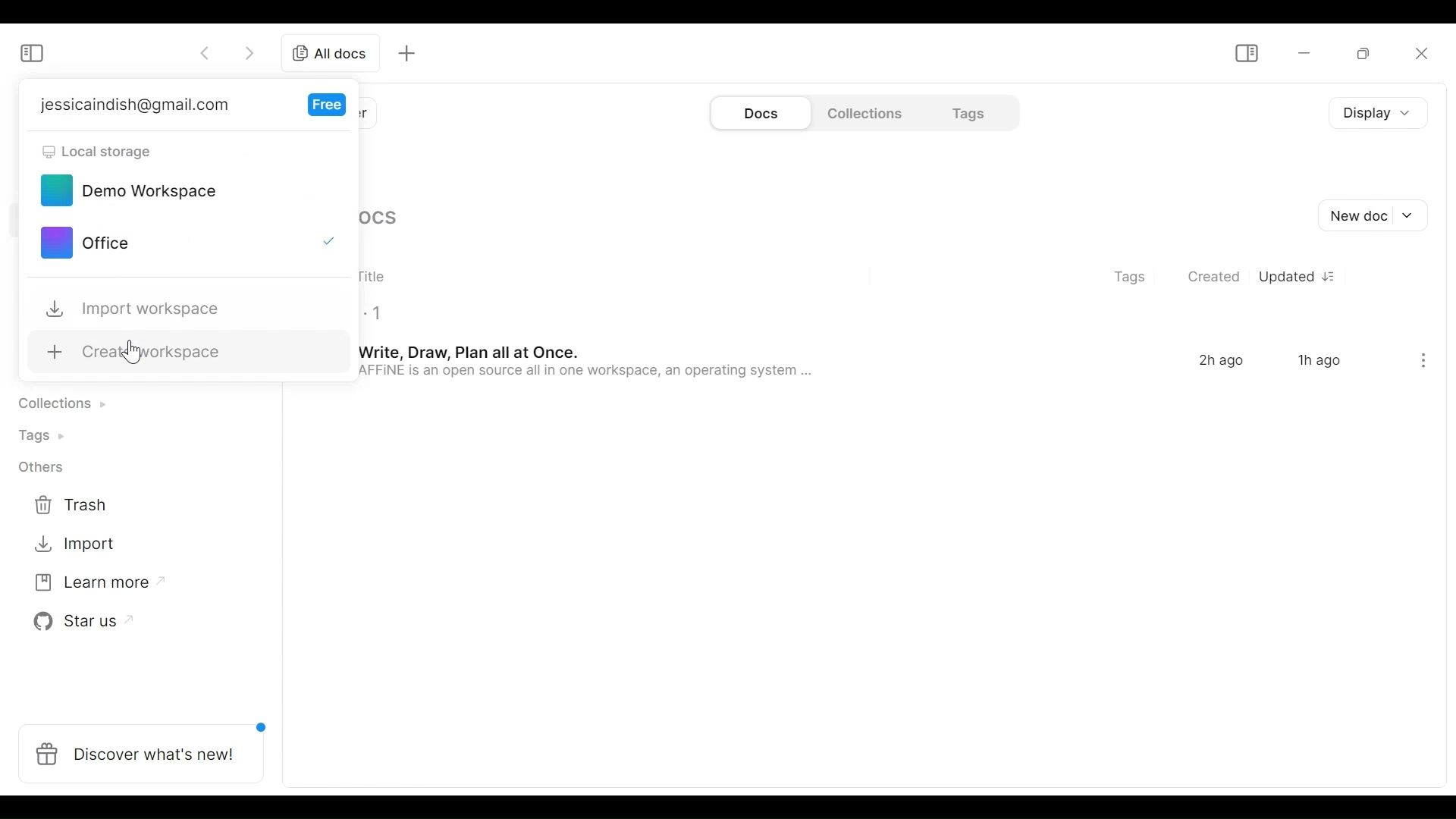  Describe the element at coordinates (187, 190) in the screenshot. I see `Demo Workspace` at that location.